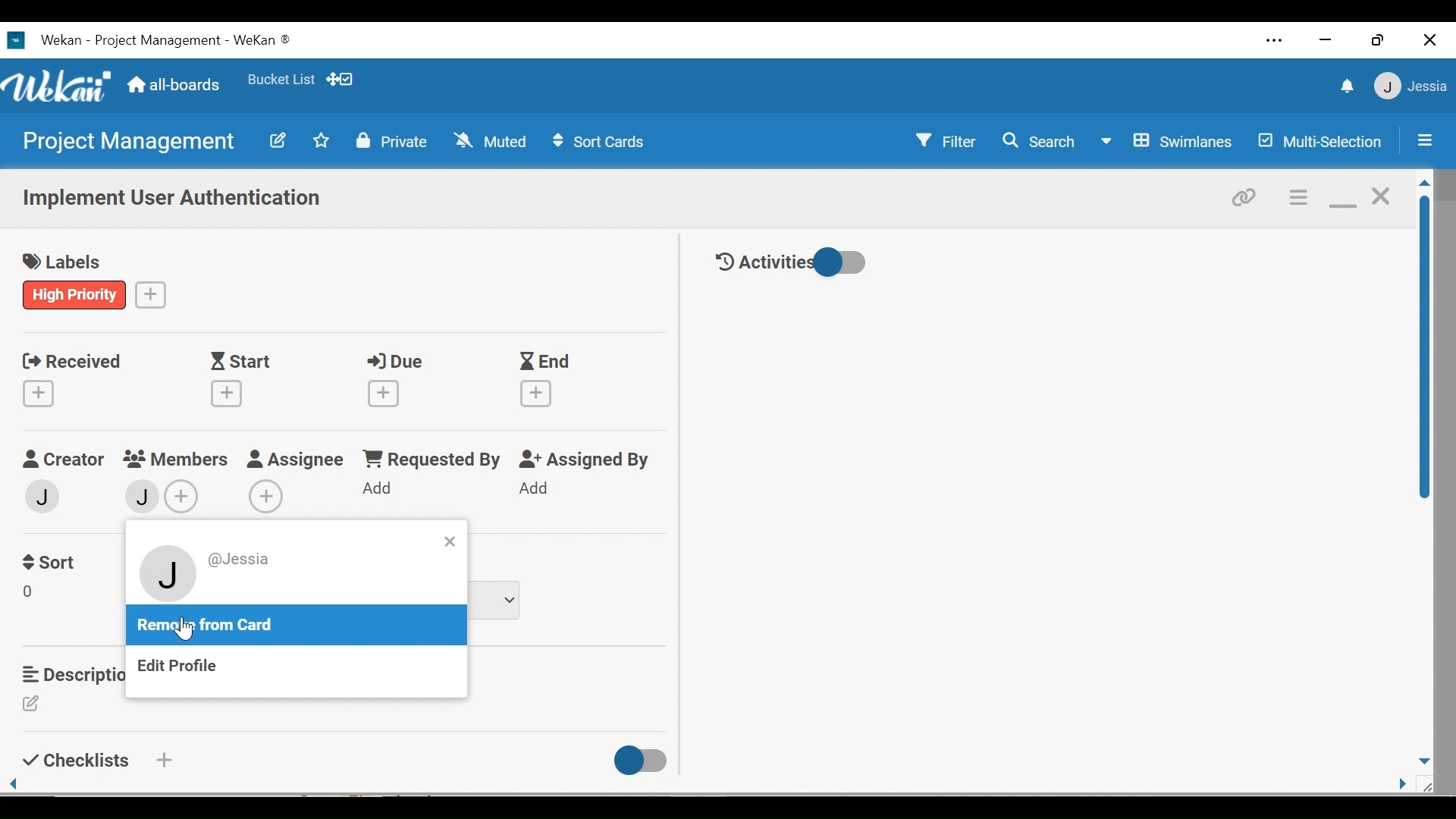 Image resolution: width=1456 pixels, height=819 pixels. I want to click on To Do List , so click(500, 601).